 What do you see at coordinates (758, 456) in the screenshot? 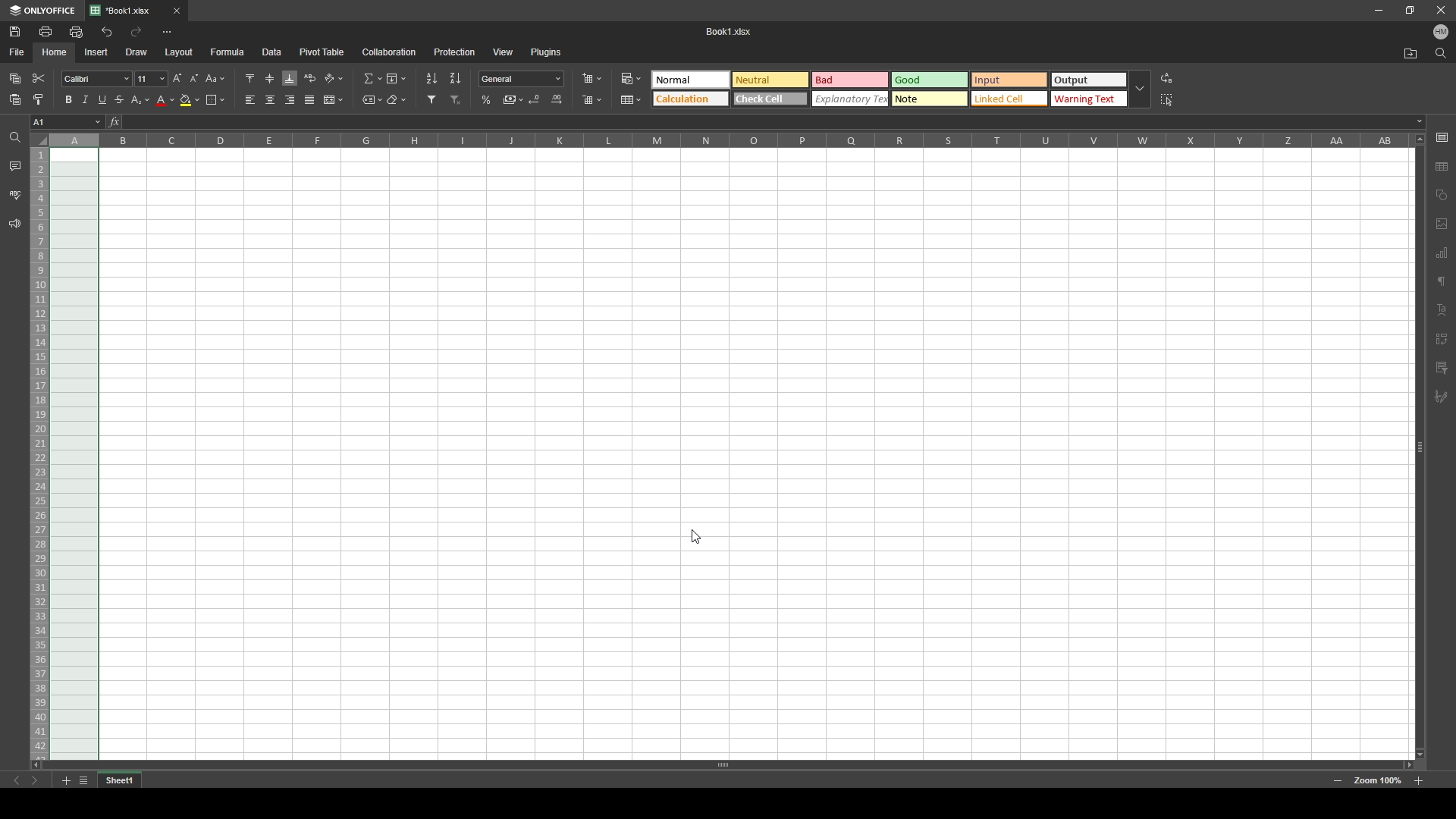
I see `cells` at bounding box center [758, 456].